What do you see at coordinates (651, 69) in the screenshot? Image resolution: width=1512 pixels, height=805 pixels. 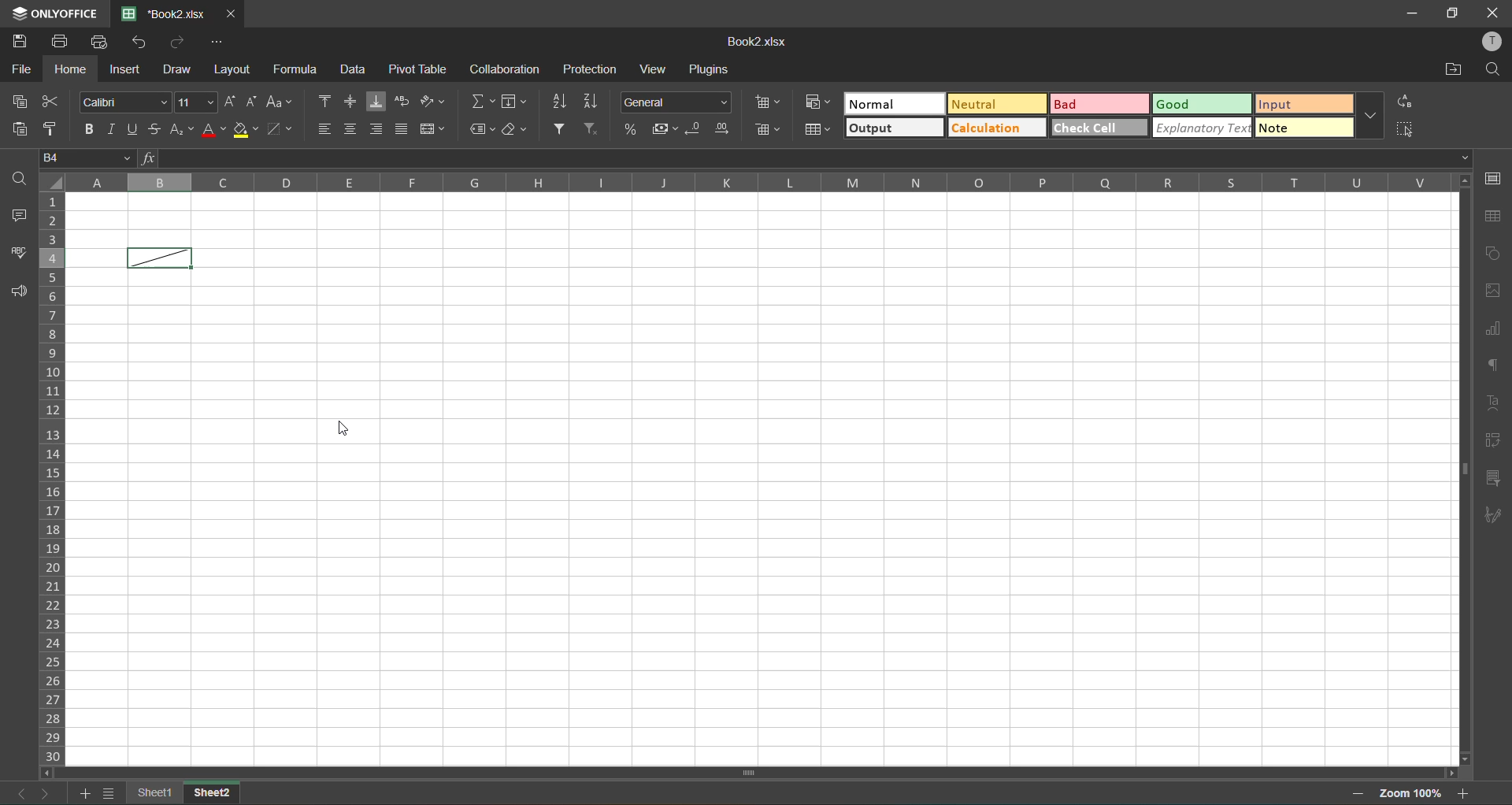 I see `view` at bounding box center [651, 69].